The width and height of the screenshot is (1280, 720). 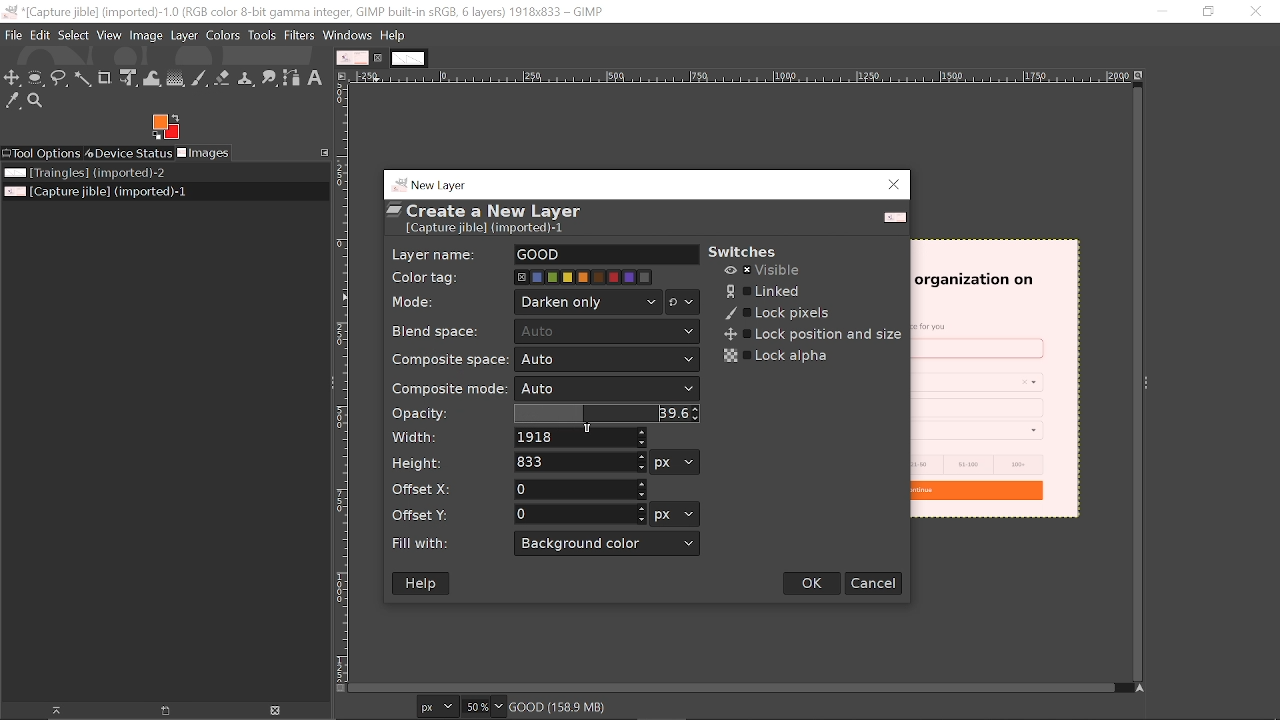 What do you see at coordinates (342, 383) in the screenshot?
I see `Vertical label` at bounding box center [342, 383].